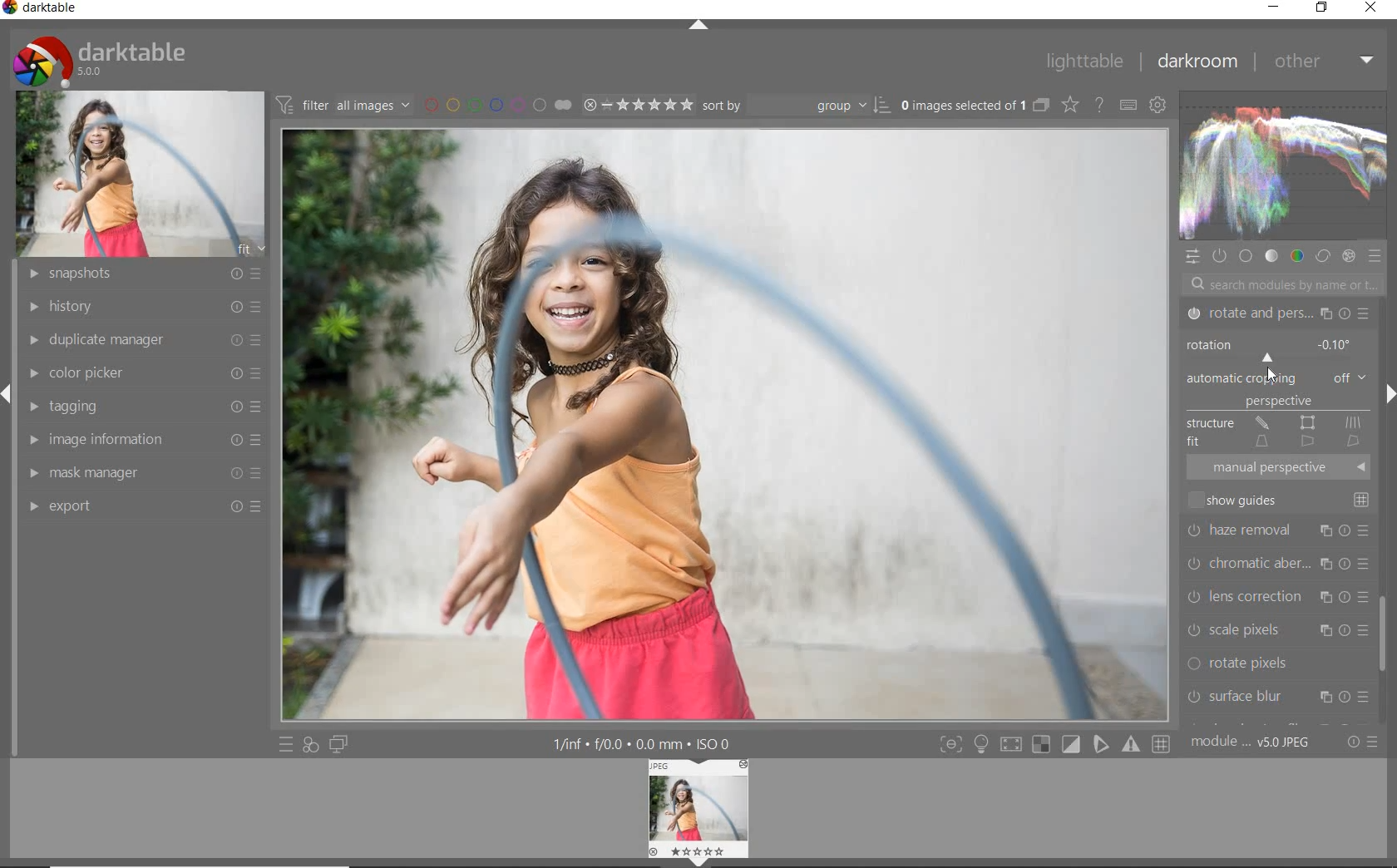 The width and height of the screenshot is (1397, 868). I want to click on define keyboard shortcut, so click(1128, 106).